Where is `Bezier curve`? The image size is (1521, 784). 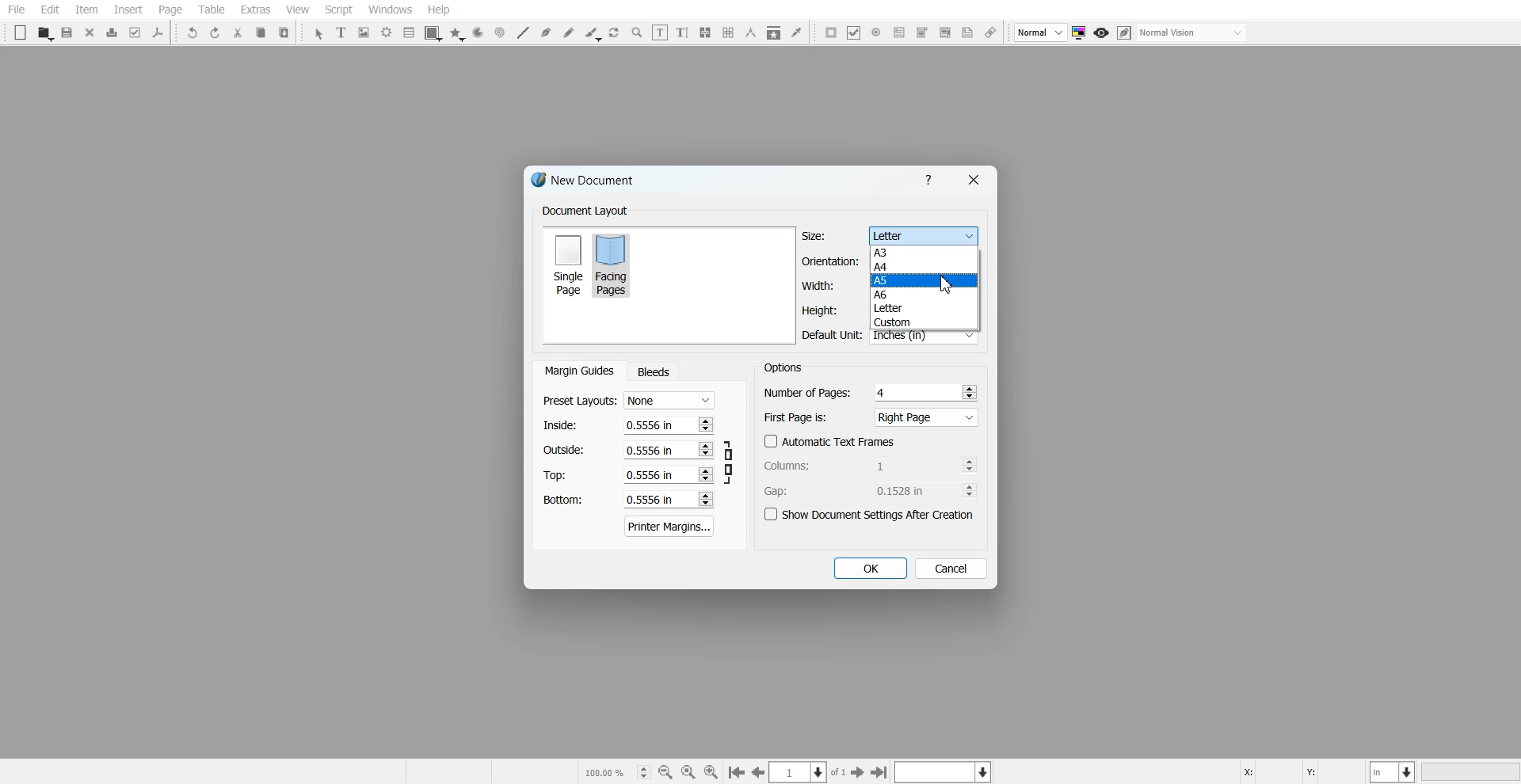 Bezier curve is located at coordinates (546, 32).